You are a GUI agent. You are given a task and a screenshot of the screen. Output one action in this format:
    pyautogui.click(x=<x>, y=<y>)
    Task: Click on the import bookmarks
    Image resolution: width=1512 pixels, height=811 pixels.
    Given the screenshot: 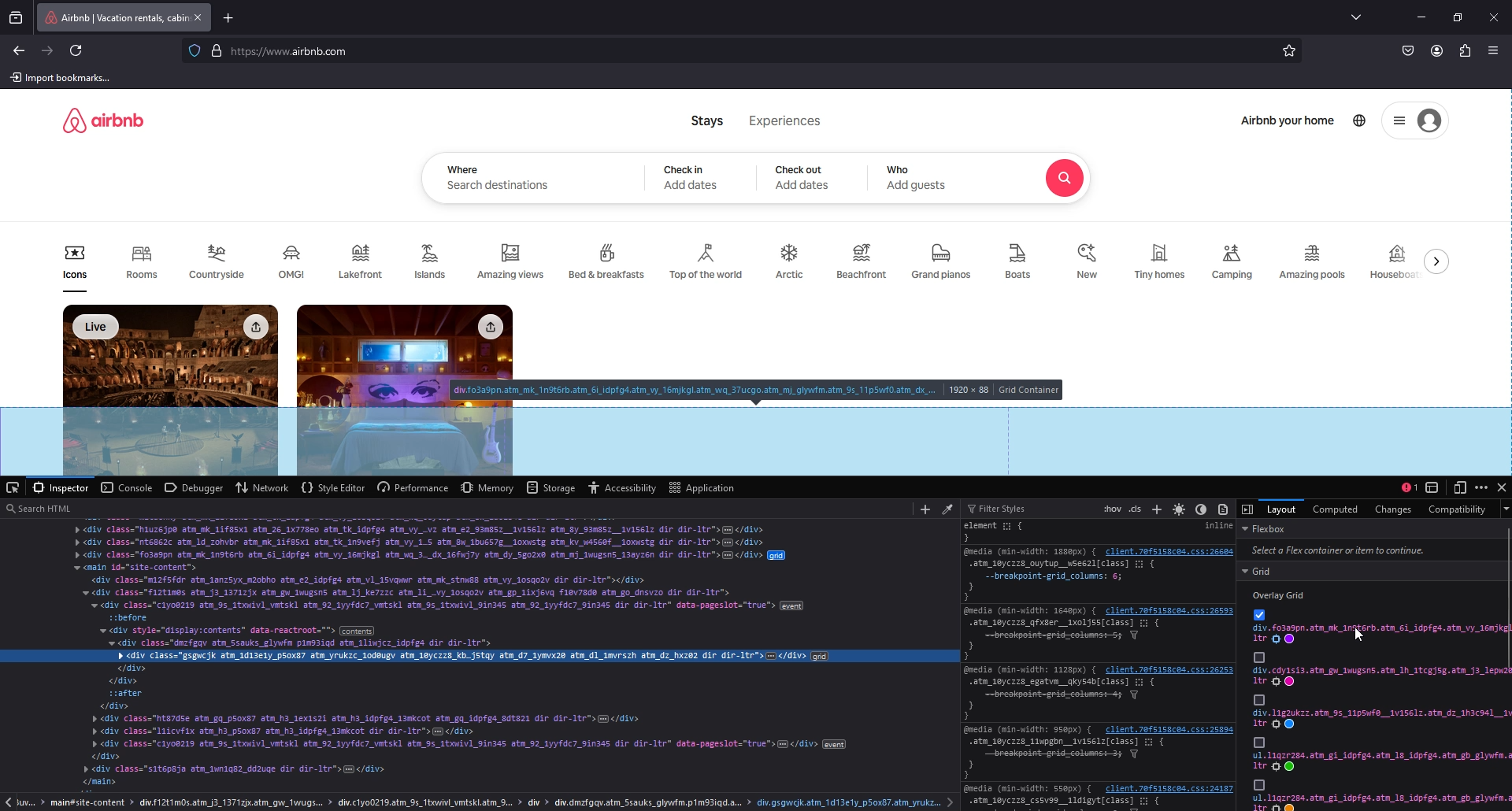 What is the action you would take?
    pyautogui.click(x=64, y=77)
    